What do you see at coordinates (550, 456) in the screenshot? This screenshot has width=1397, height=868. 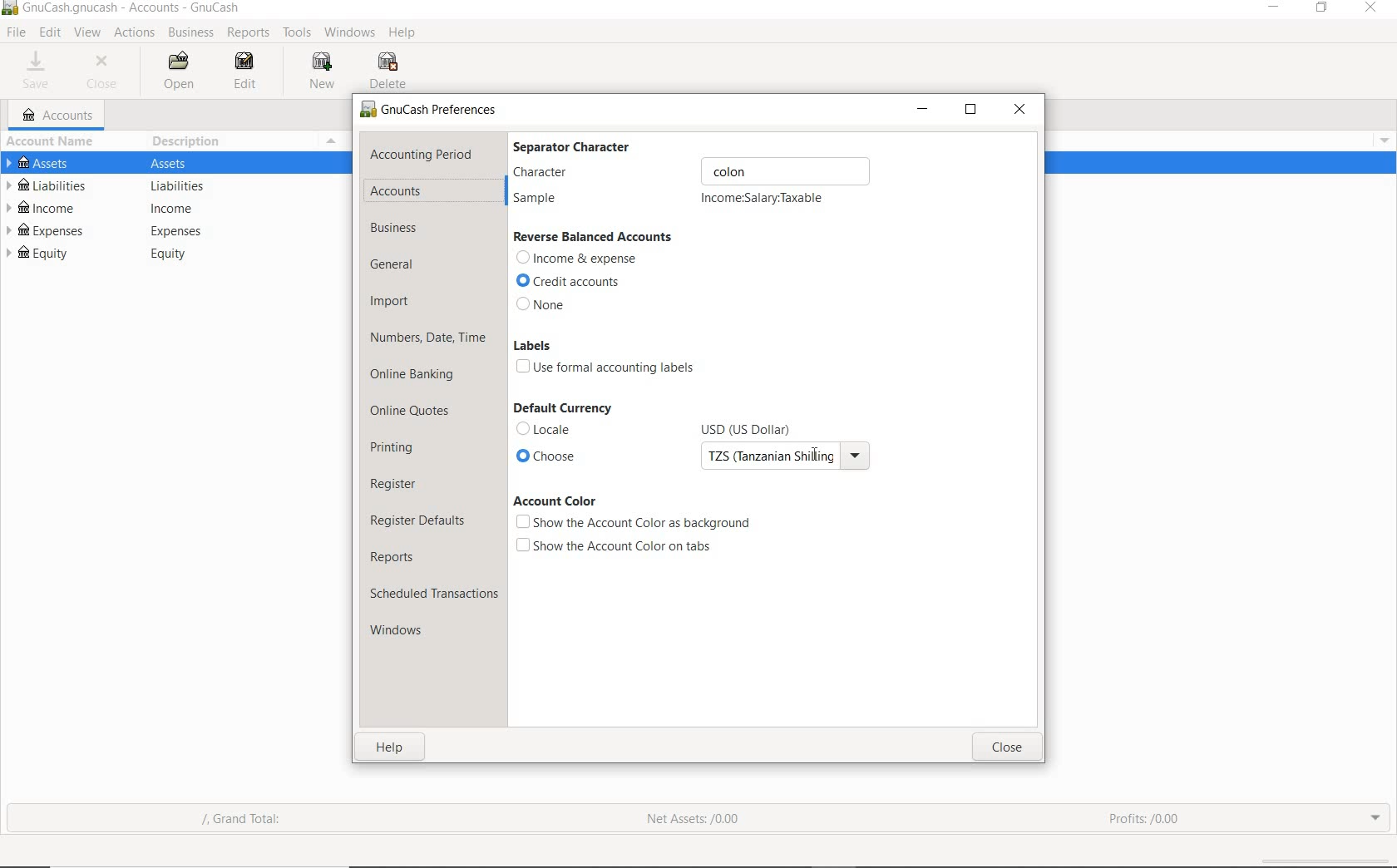 I see `choose currency` at bounding box center [550, 456].